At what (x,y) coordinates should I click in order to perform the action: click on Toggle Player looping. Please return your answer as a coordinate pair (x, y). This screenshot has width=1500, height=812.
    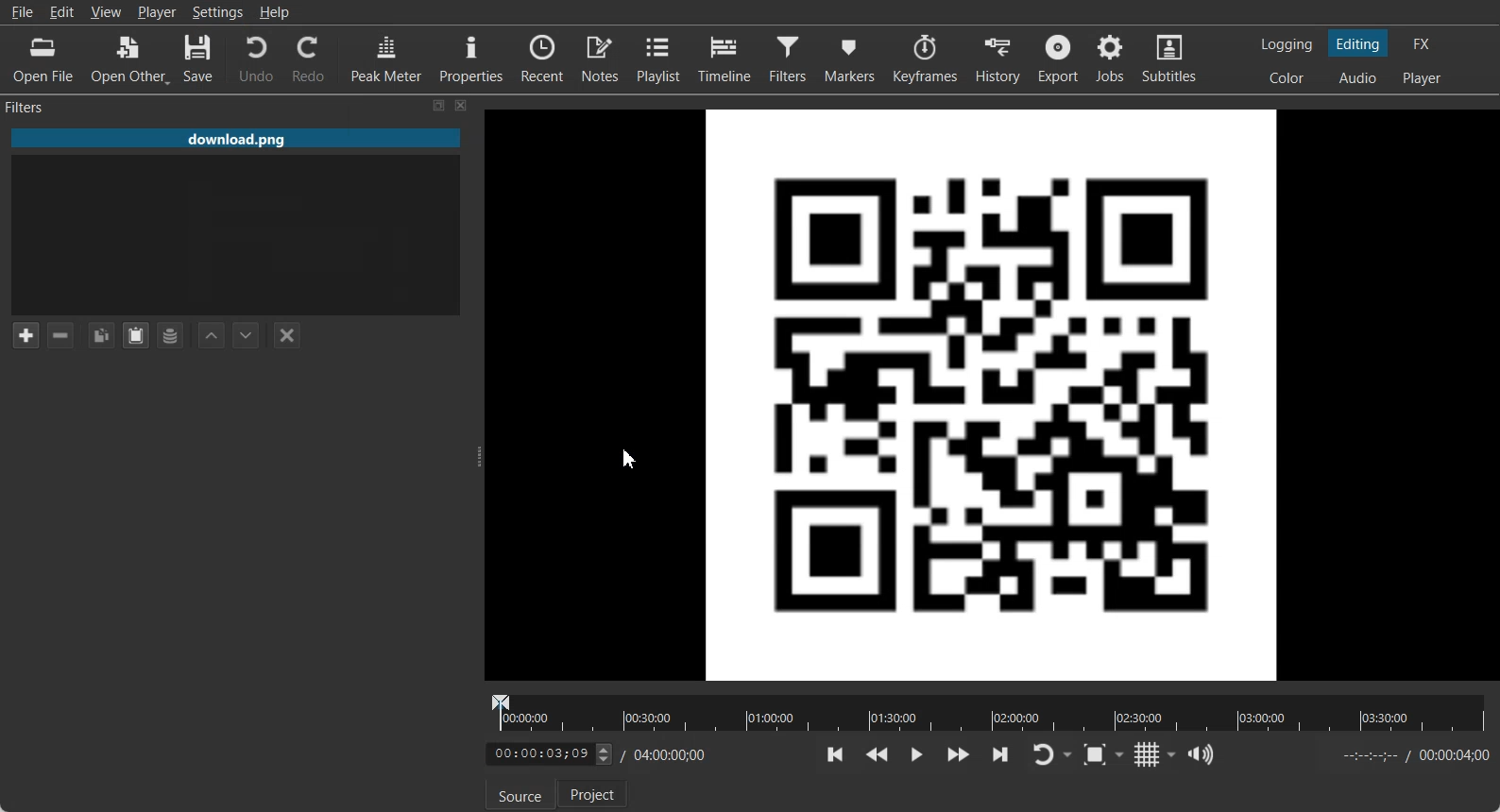
    Looking at the image, I should click on (1051, 755).